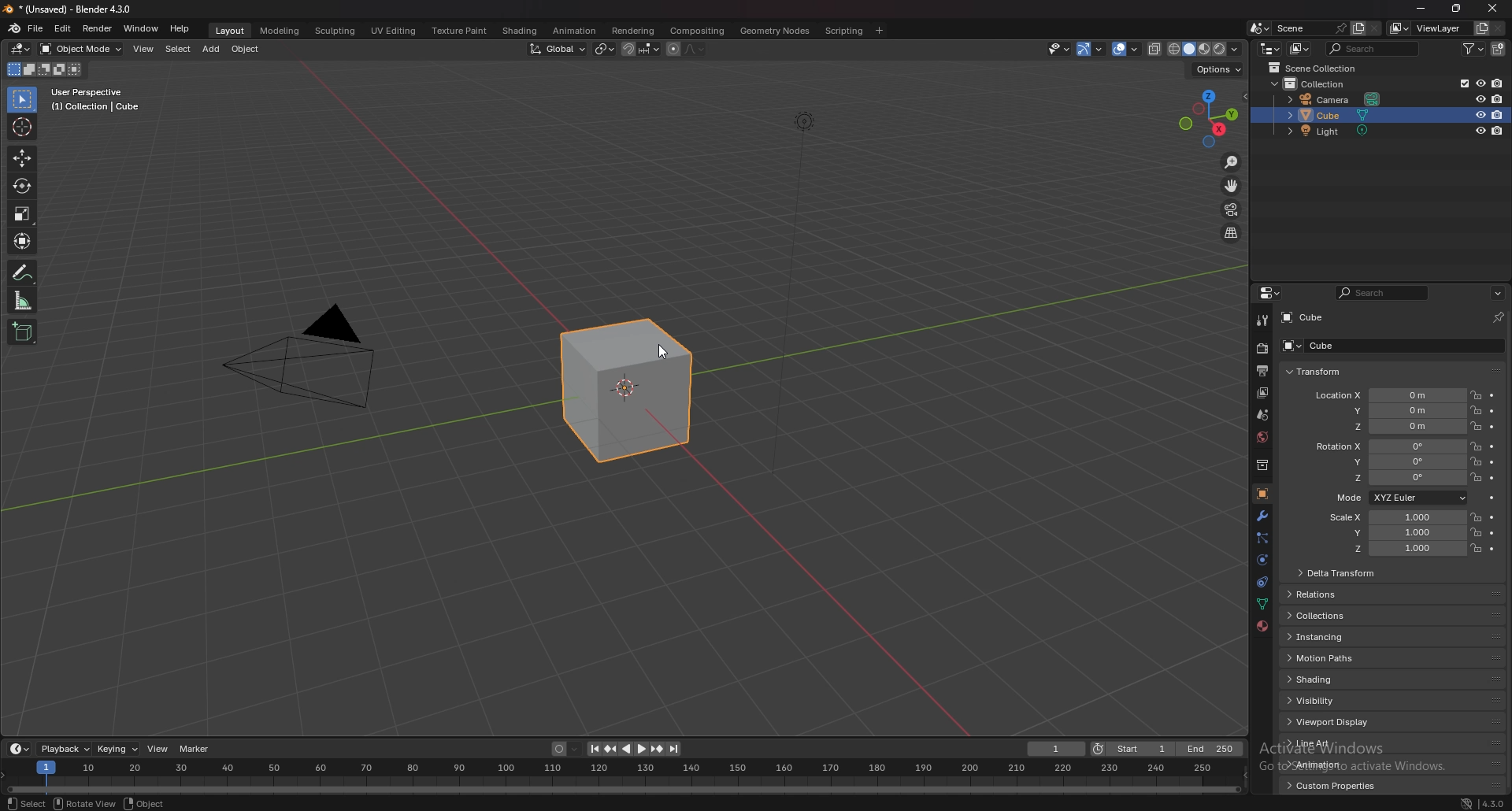  Describe the element at coordinates (1497, 98) in the screenshot. I see `disable in render` at that location.